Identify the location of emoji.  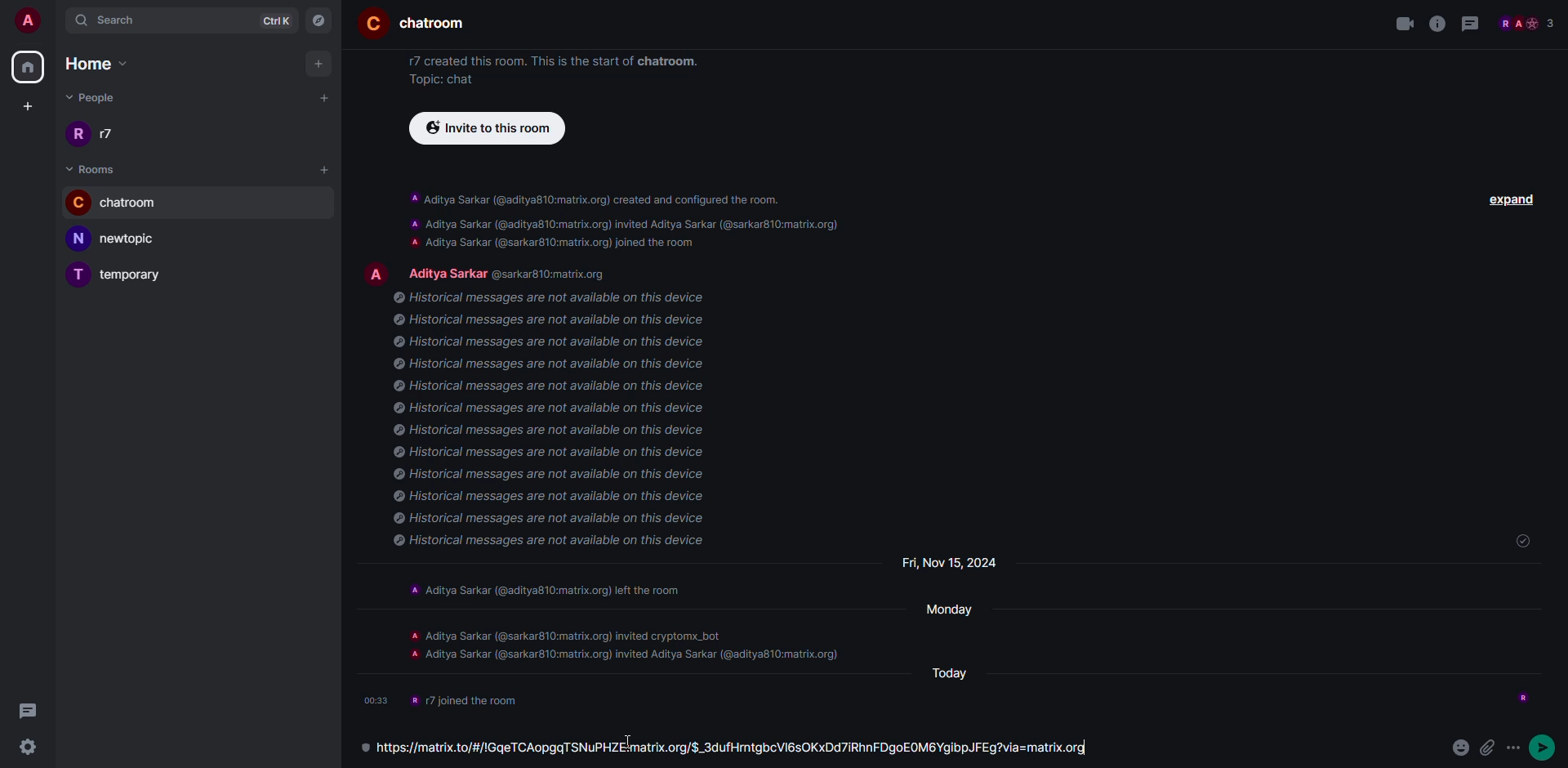
(1457, 746).